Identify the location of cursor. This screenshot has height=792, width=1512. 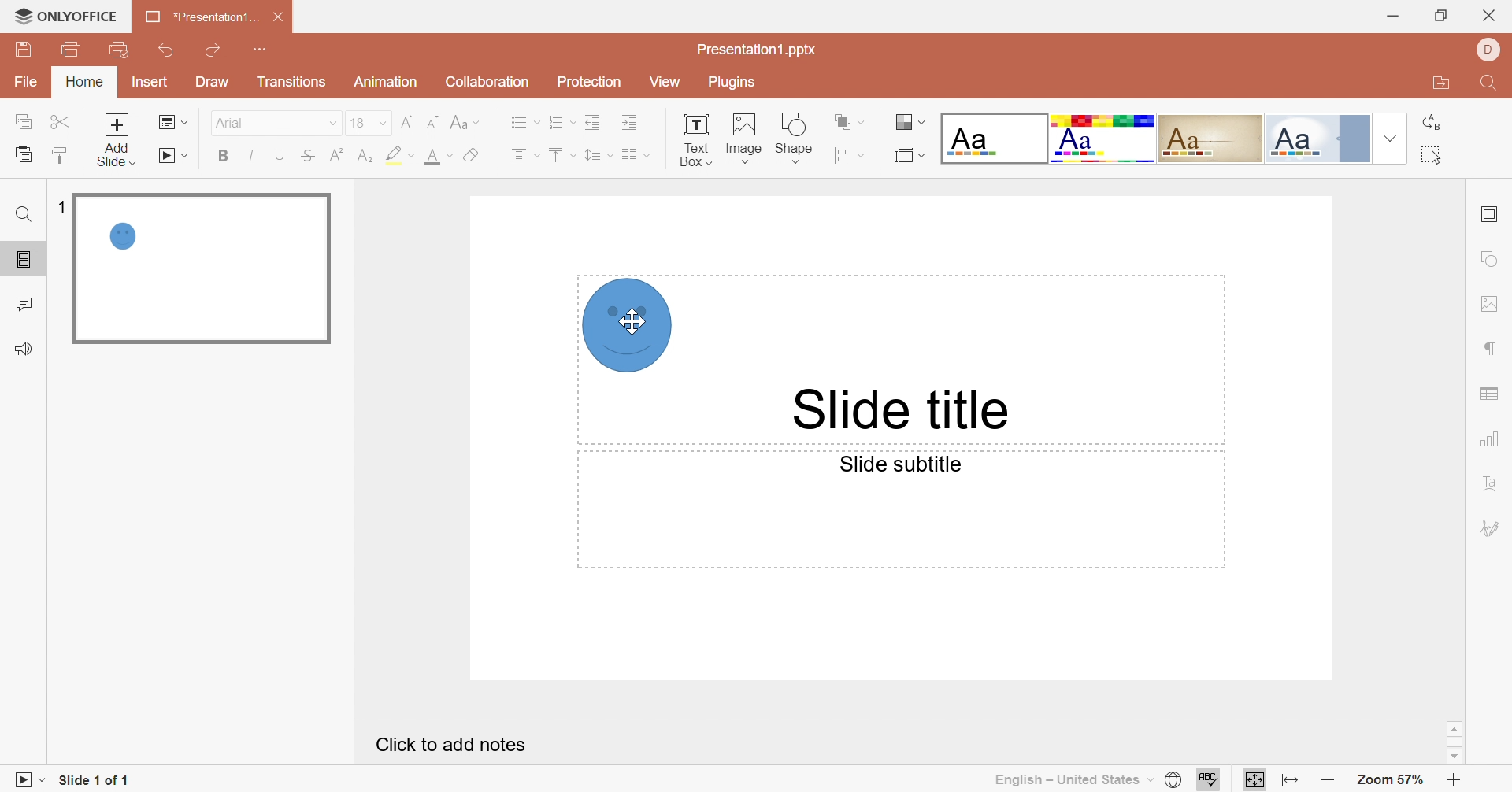
(626, 320).